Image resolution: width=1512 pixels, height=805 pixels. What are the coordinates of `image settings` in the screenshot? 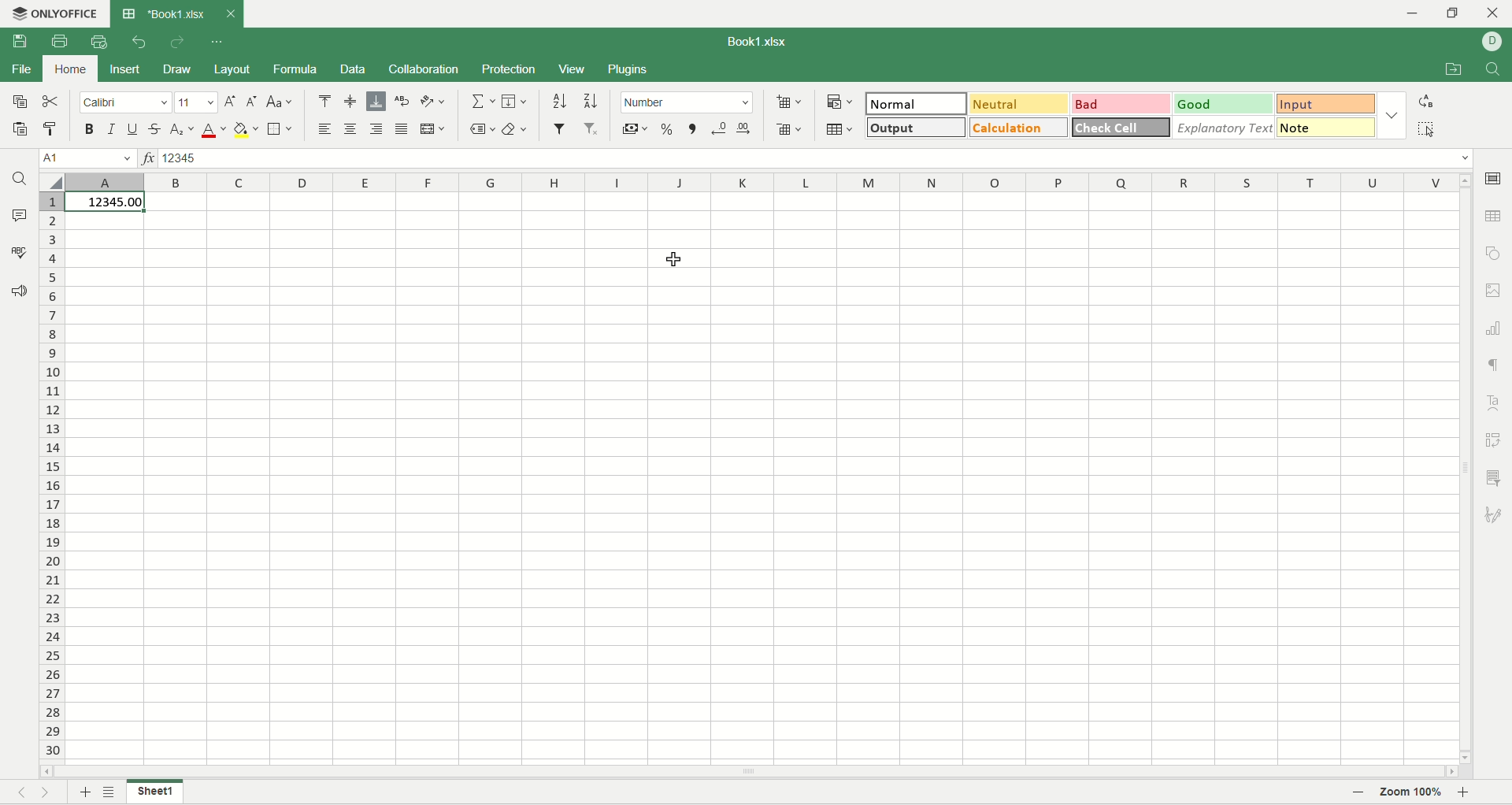 It's located at (1496, 291).